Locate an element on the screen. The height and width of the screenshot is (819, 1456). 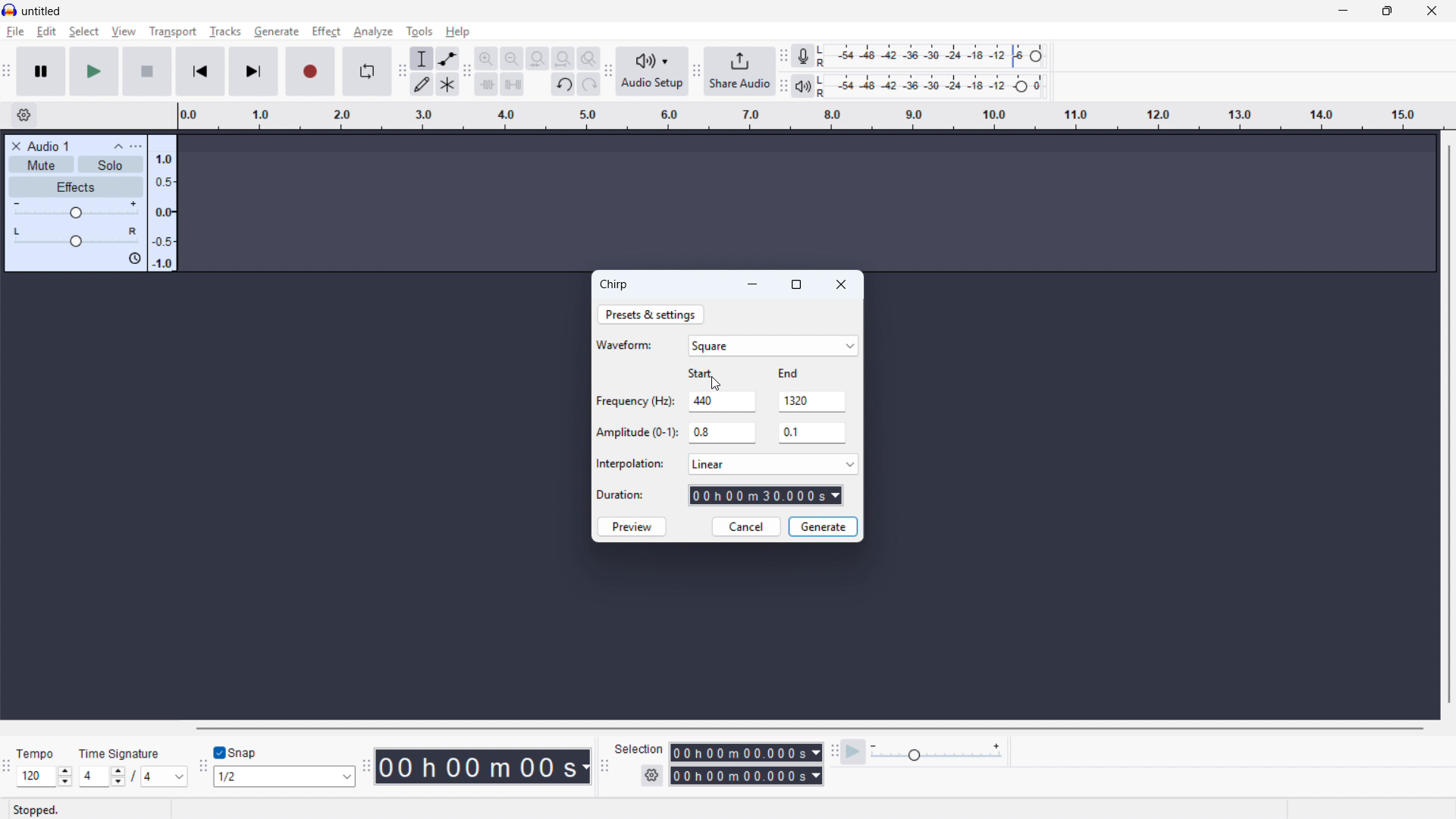
start is located at coordinates (702, 373).